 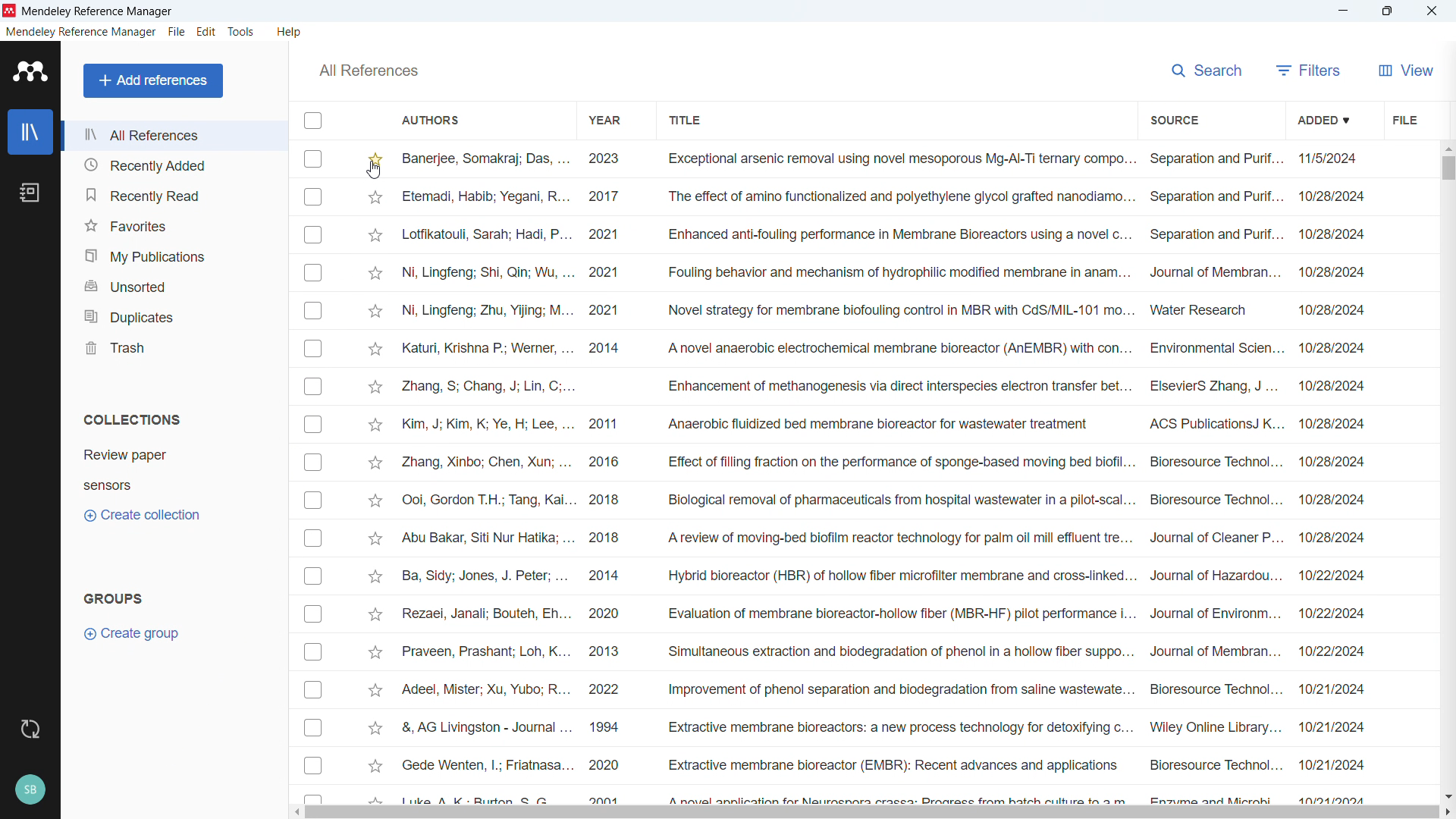 What do you see at coordinates (1207, 71) in the screenshot?
I see `search ` at bounding box center [1207, 71].